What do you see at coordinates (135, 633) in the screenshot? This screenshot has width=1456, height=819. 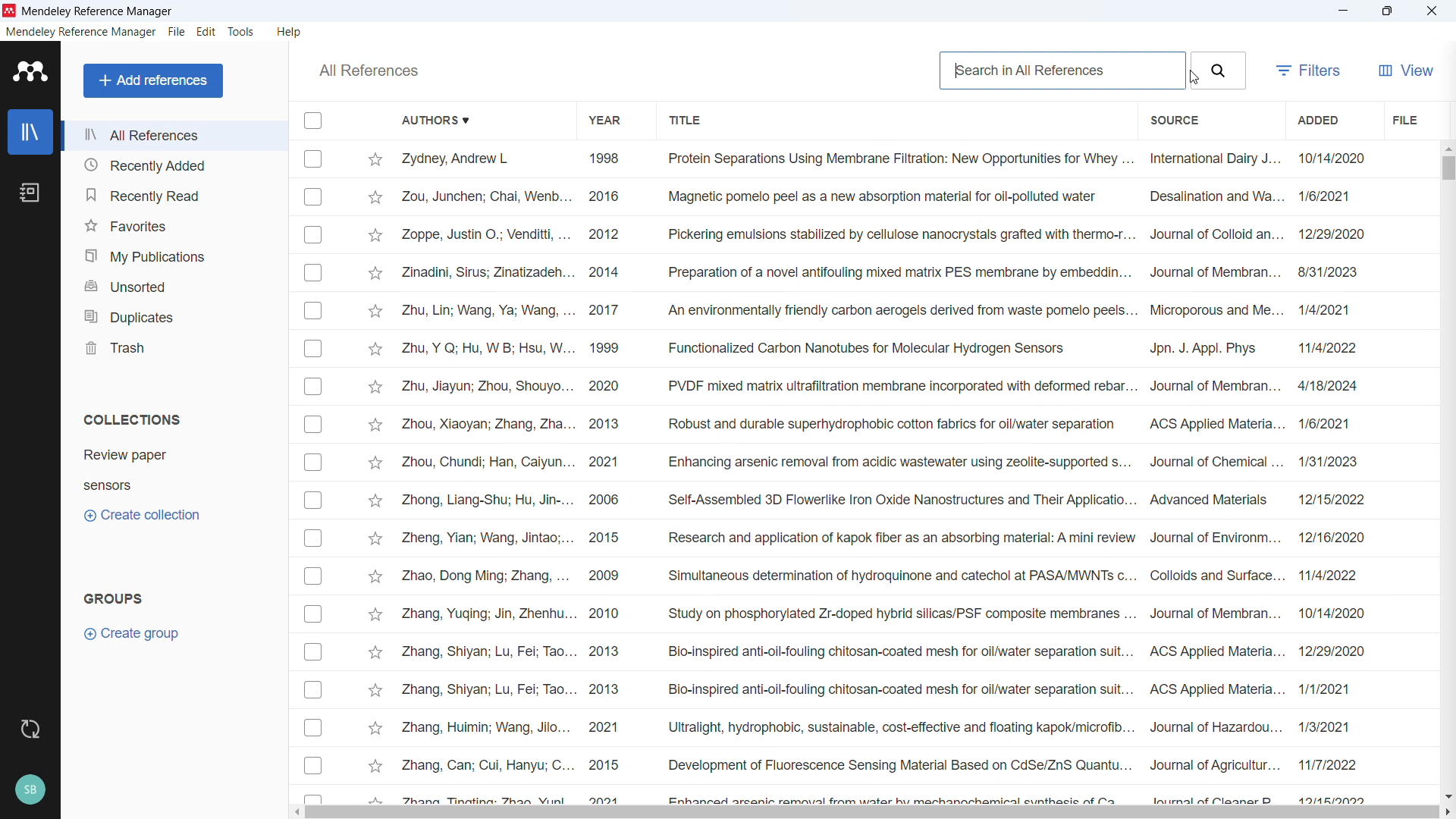 I see `Create group ` at bounding box center [135, 633].